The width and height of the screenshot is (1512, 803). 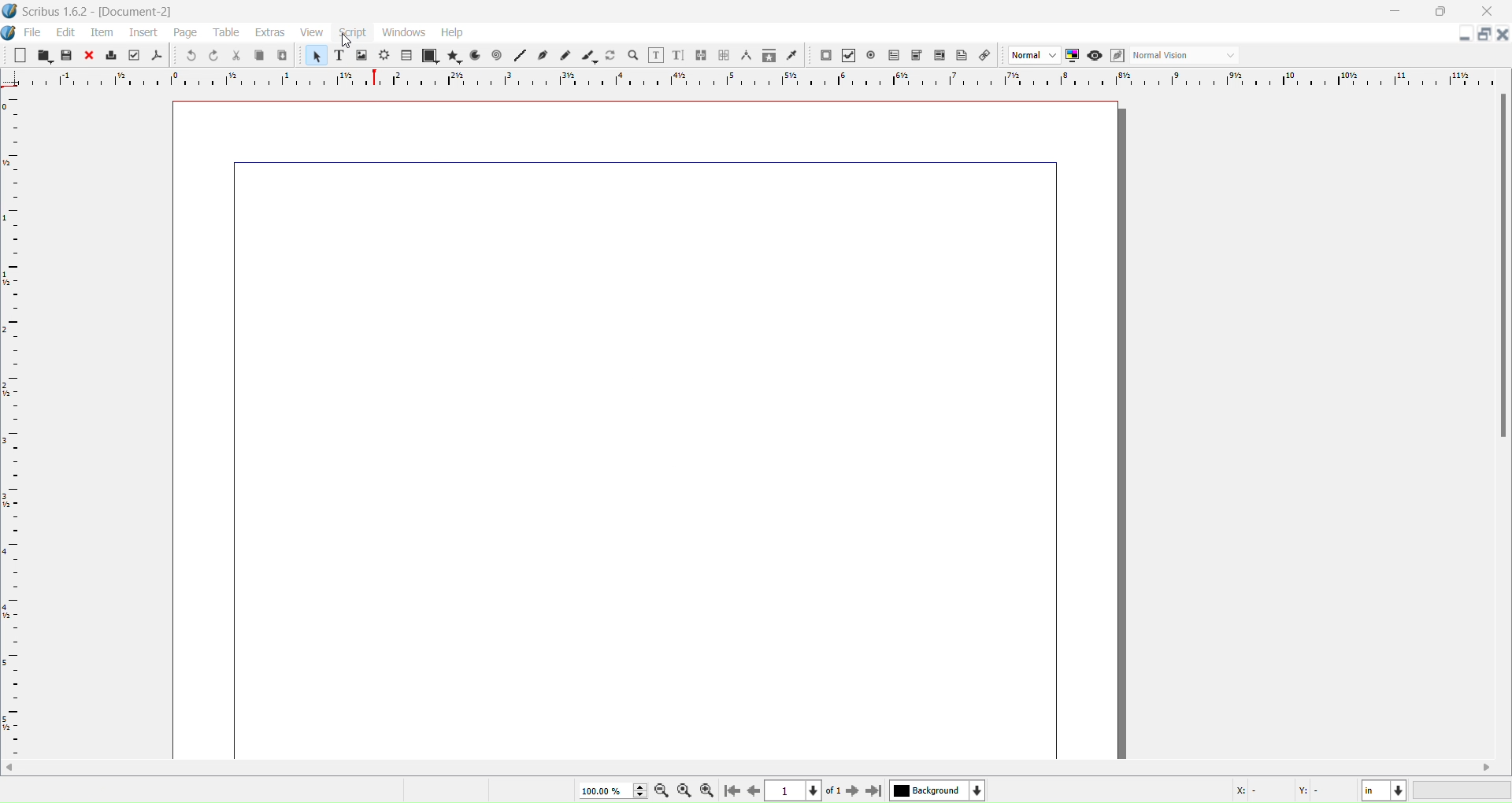 I want to click on Open, so click(x=43, y=56).